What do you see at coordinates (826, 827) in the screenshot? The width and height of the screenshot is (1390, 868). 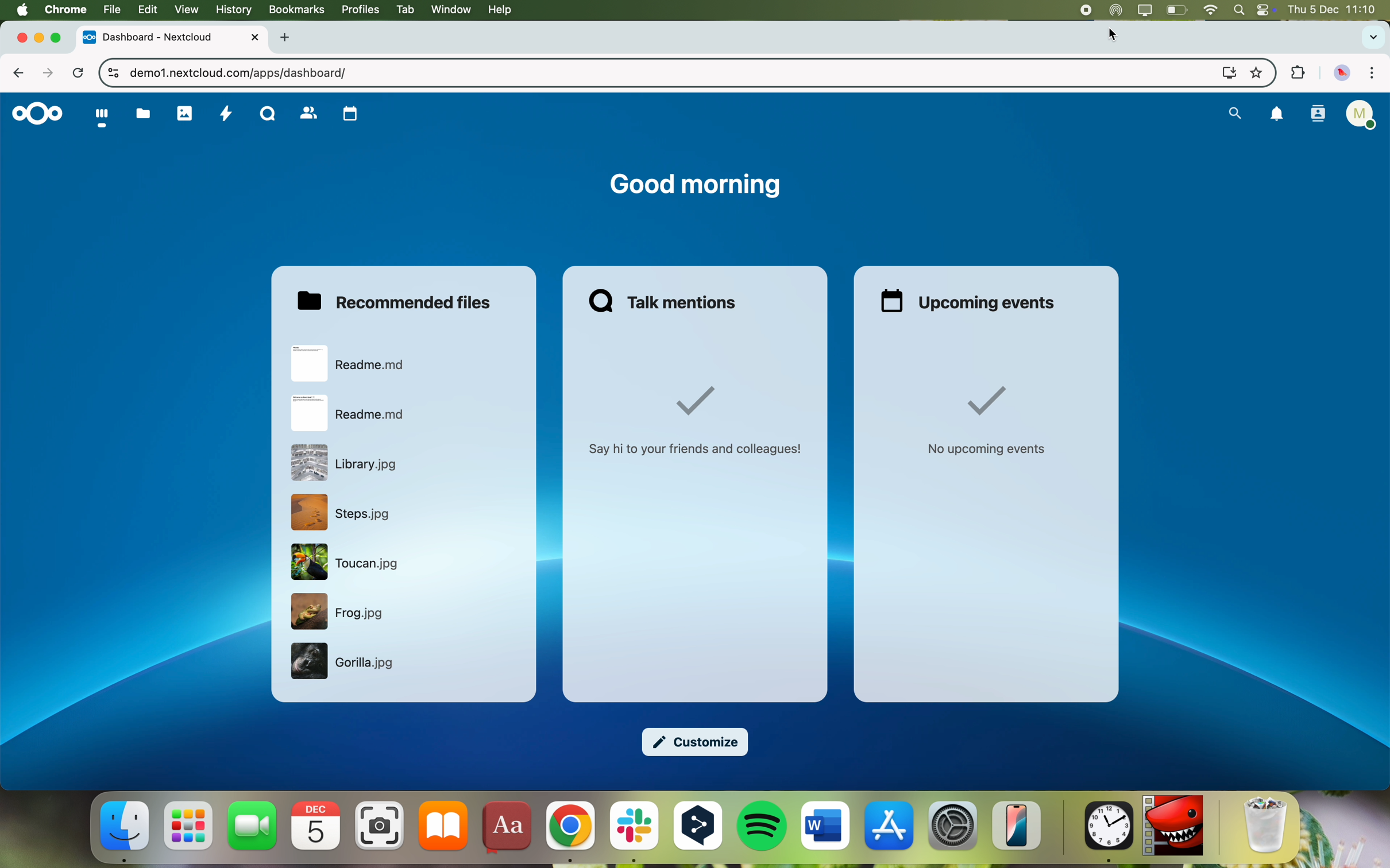 I see `Word` at bounding box center [826, 827].